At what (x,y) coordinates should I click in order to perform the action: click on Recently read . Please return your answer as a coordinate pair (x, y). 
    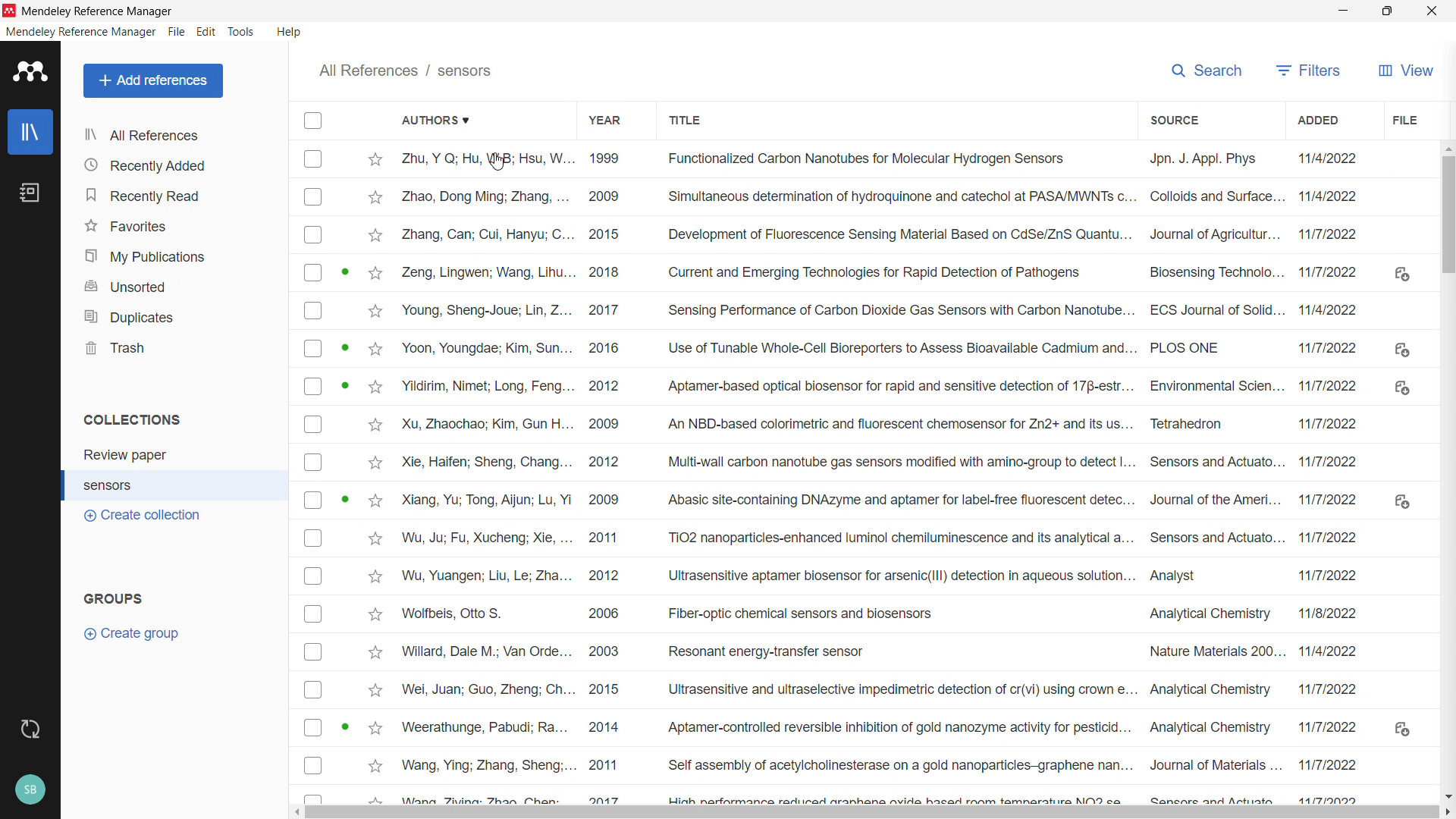
    Looking at the image, I should click on (177, 196).